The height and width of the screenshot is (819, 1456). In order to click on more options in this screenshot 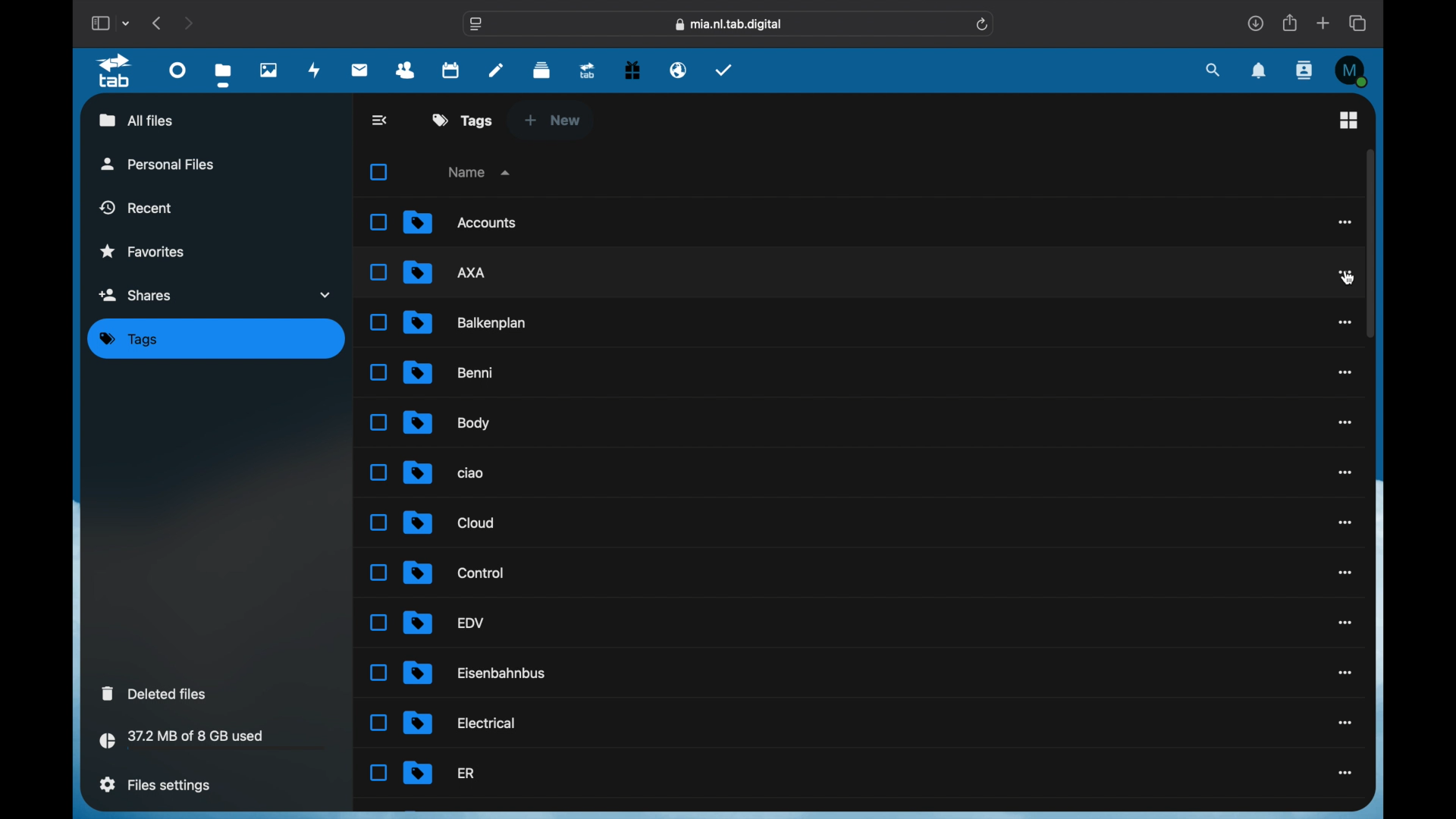, I will do `click(1344, 623)`.